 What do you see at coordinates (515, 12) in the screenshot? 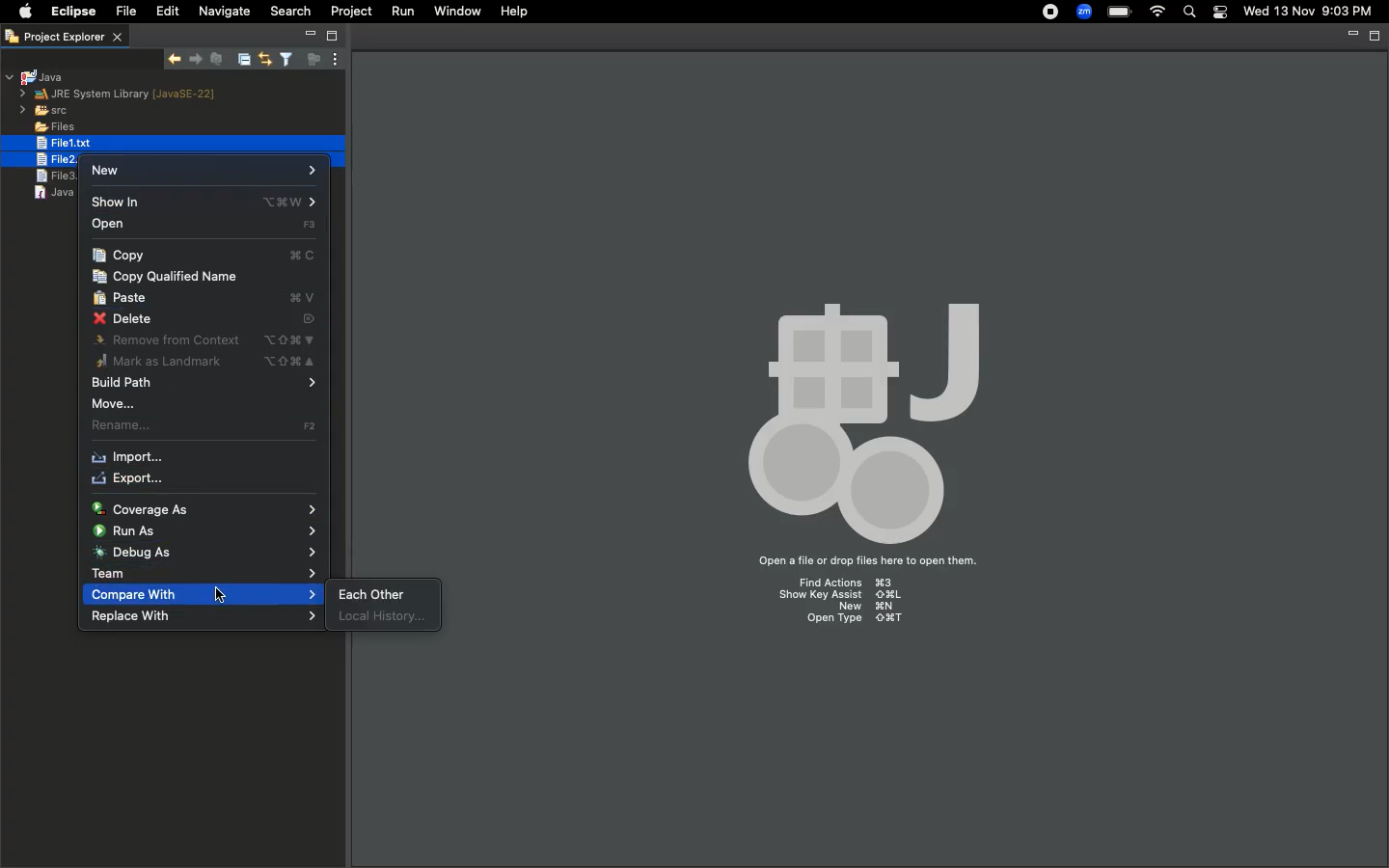
I see `Help` at bounding box center [515, 12].